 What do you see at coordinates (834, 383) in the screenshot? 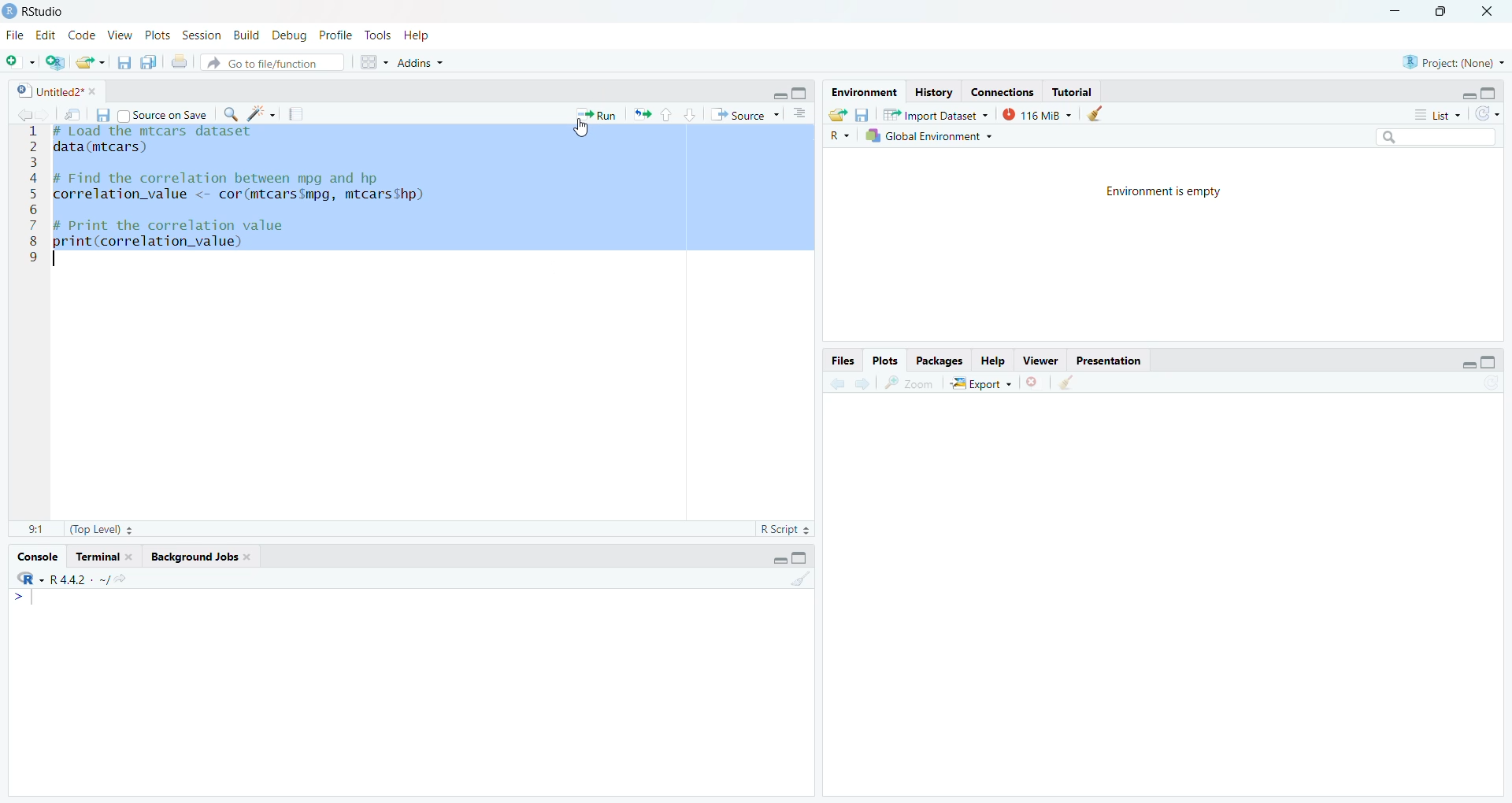
I see `Go back to the previous source location (Ctrl + F9)` at bounding box center [834, 383].